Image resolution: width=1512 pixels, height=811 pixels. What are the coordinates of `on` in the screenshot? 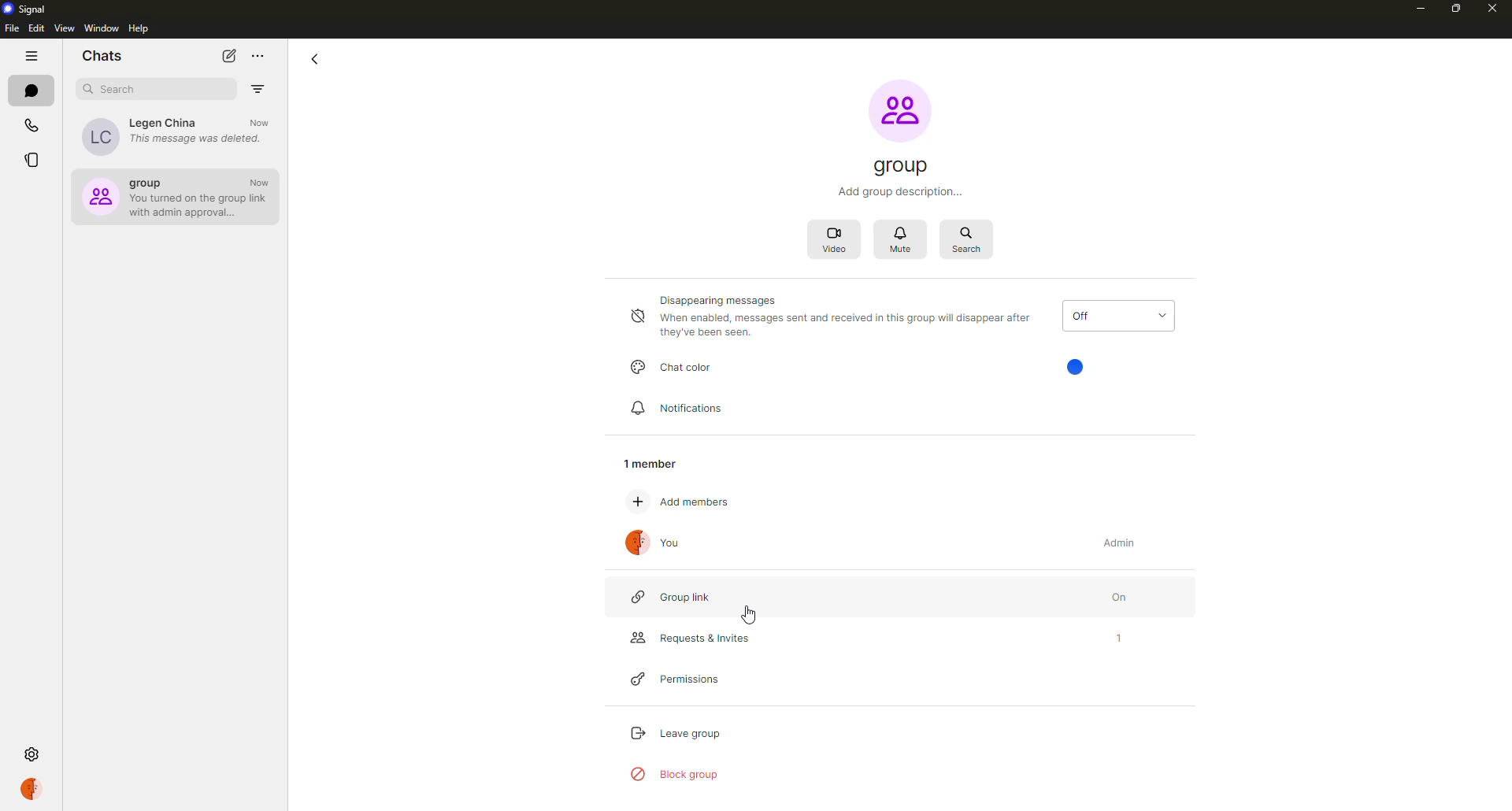 It's located at (1106, 594).